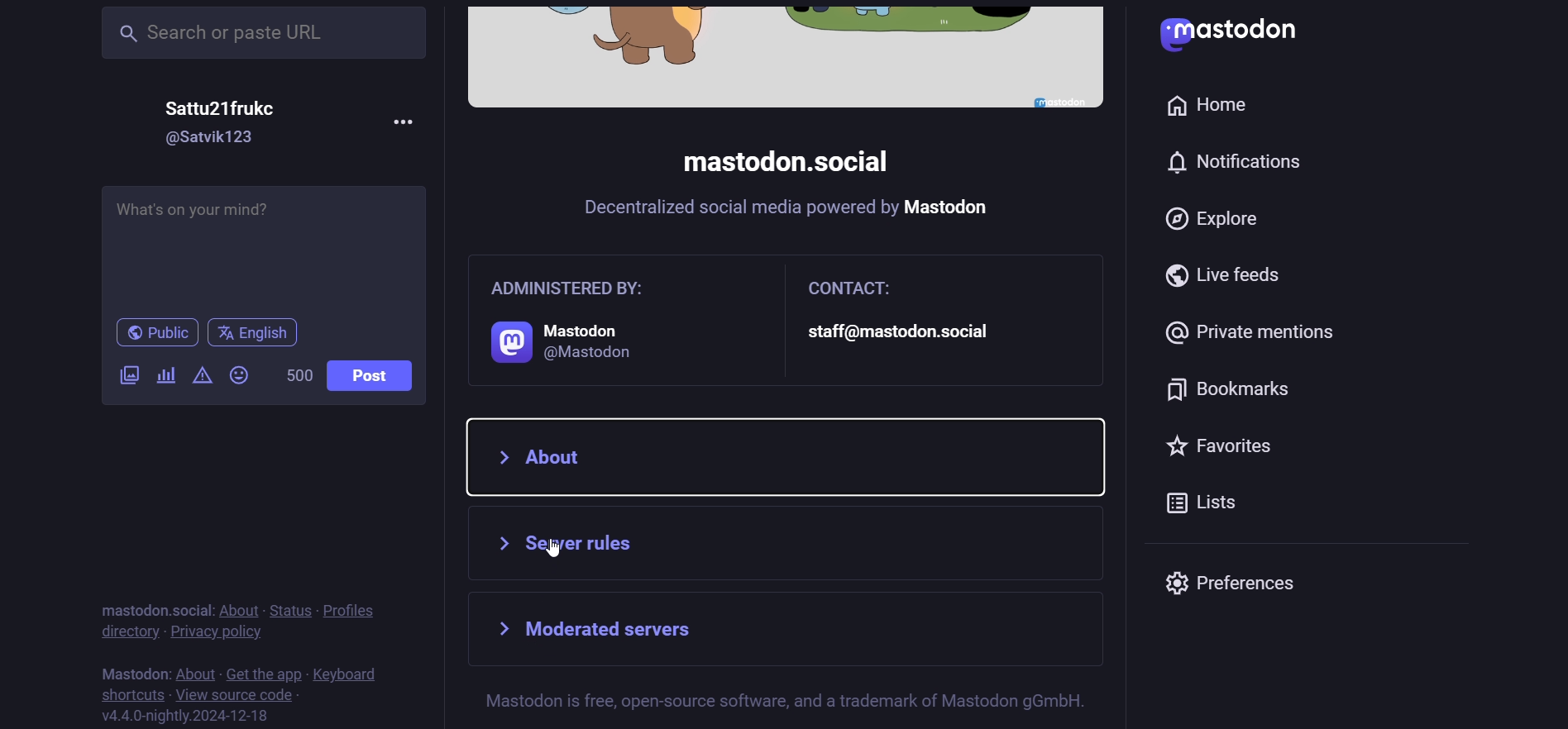  What do you see at coordinates (148, 609) in the screenshot?
I see `mastodon social` at bounding box center [148, 609].